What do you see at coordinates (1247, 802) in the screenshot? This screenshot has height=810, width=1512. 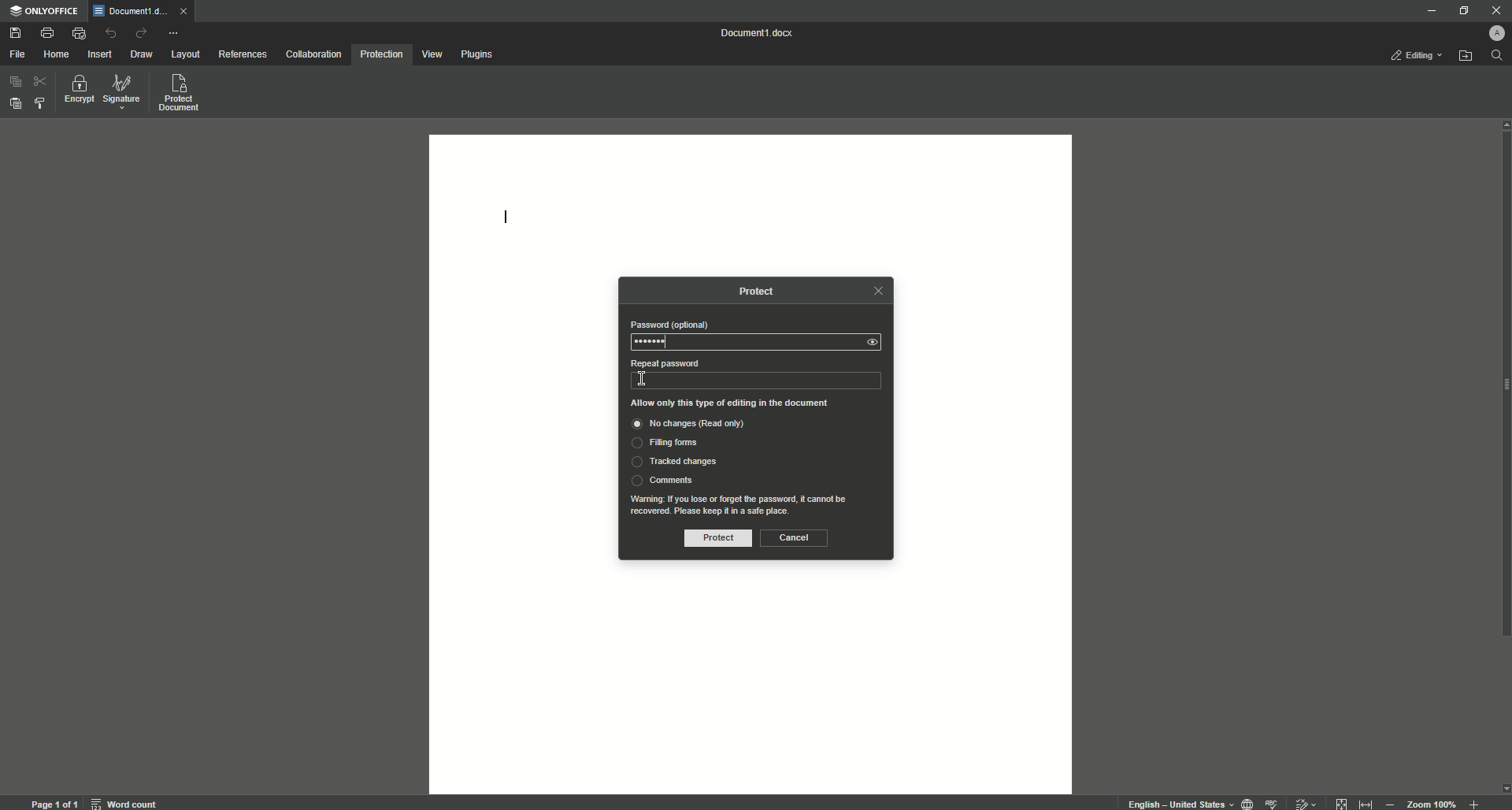 I see `set document language` at bounding box center [1247, 802].